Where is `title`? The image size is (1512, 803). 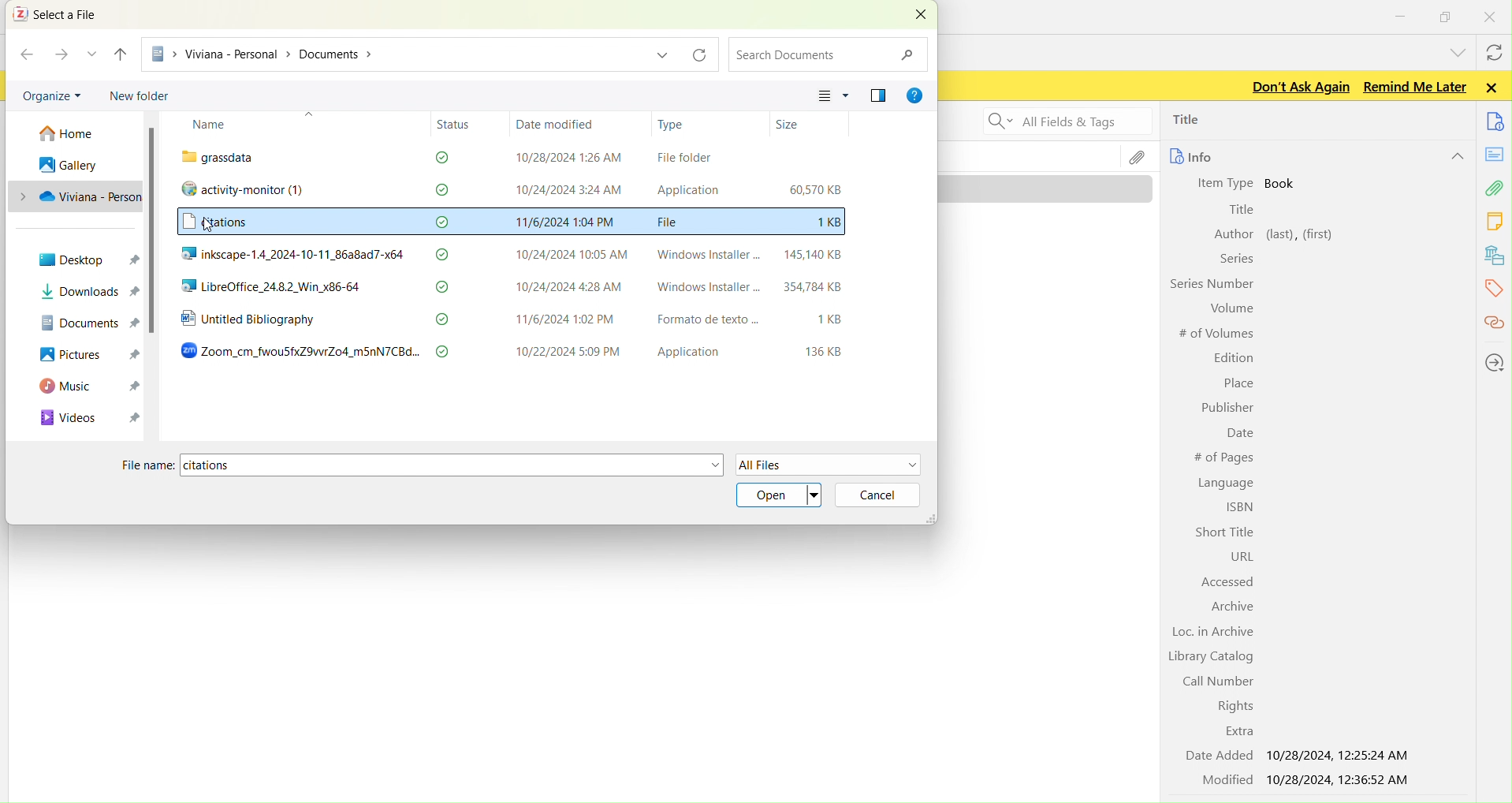
title is located at coordinates (1217, 120).